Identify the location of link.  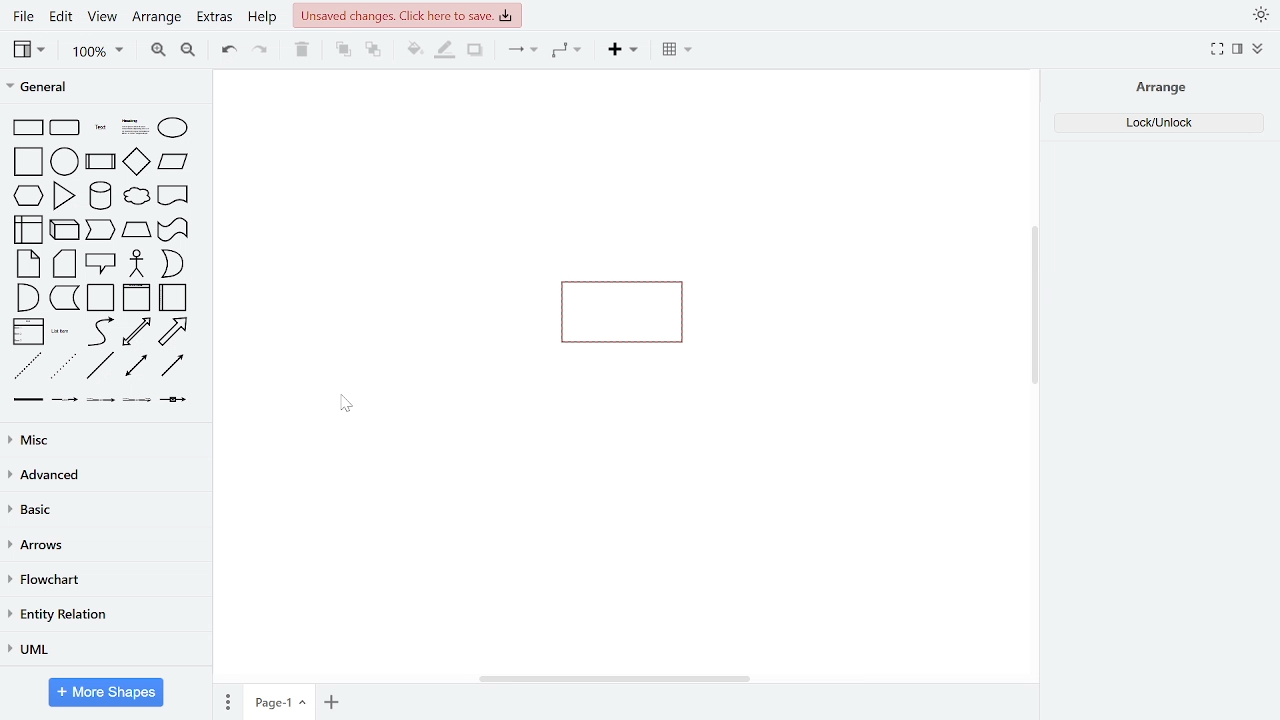
(29, 399).